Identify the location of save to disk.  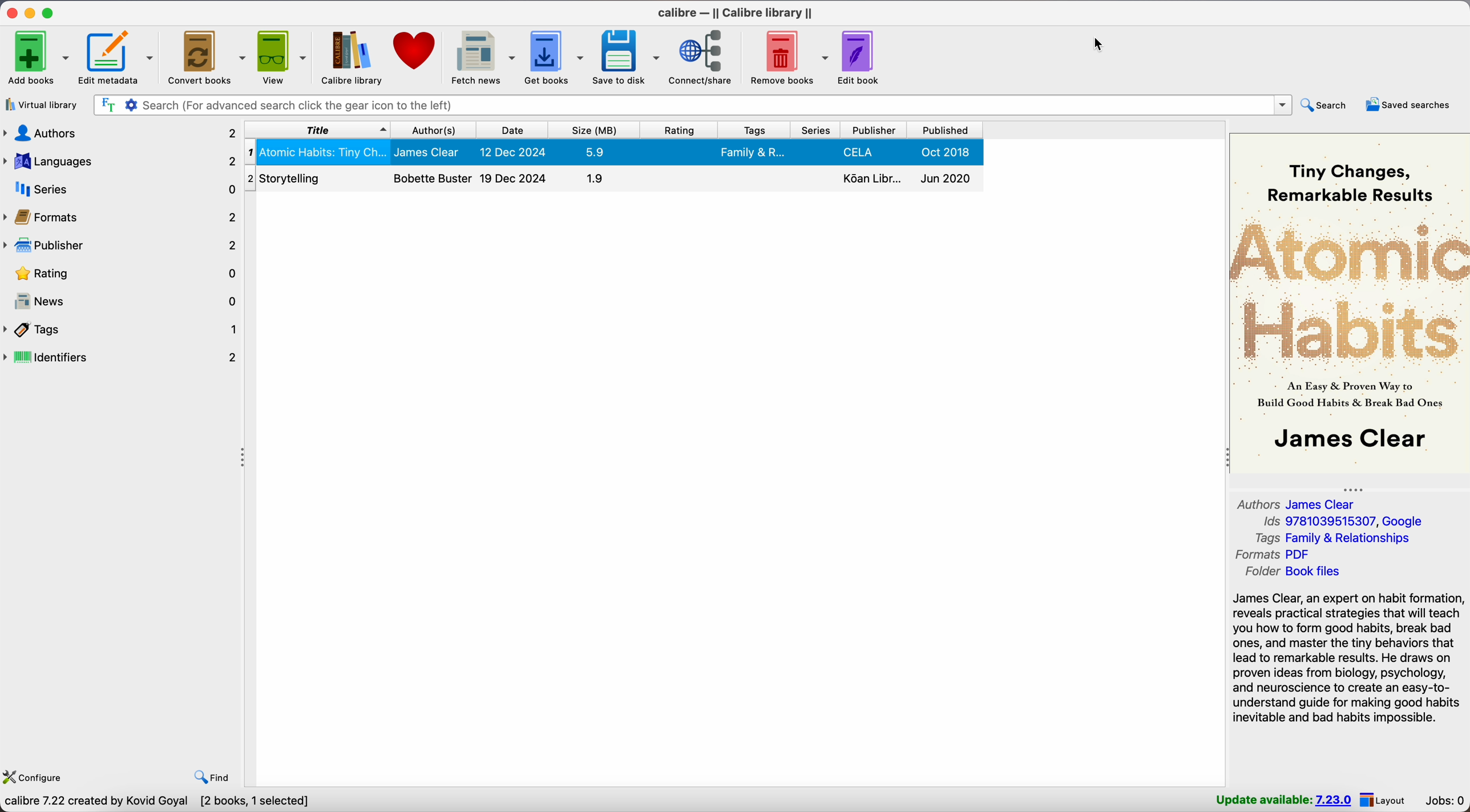
(627, 58).